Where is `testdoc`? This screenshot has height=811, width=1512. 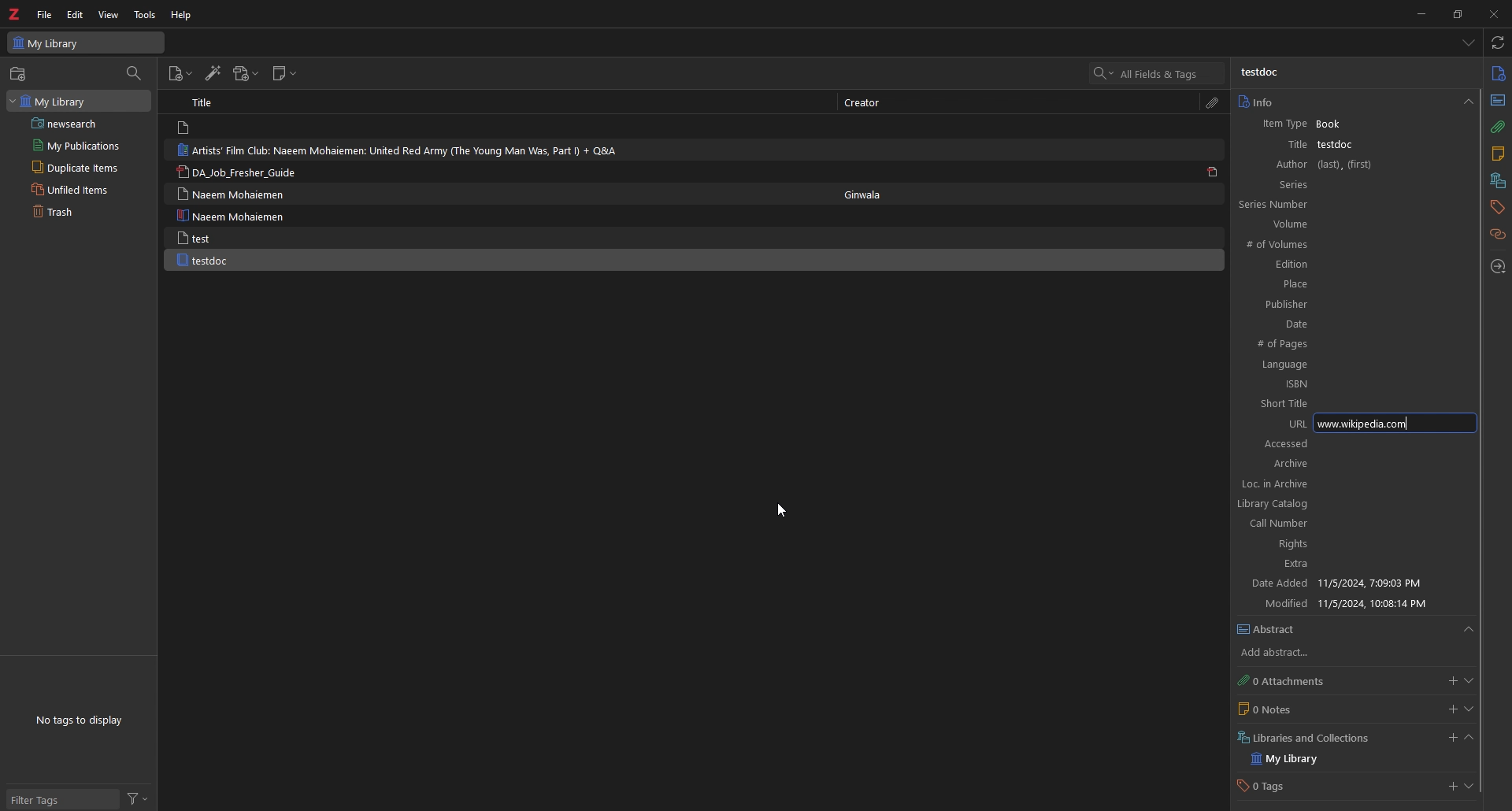
testdoc is located at coordinates (1268, 74).